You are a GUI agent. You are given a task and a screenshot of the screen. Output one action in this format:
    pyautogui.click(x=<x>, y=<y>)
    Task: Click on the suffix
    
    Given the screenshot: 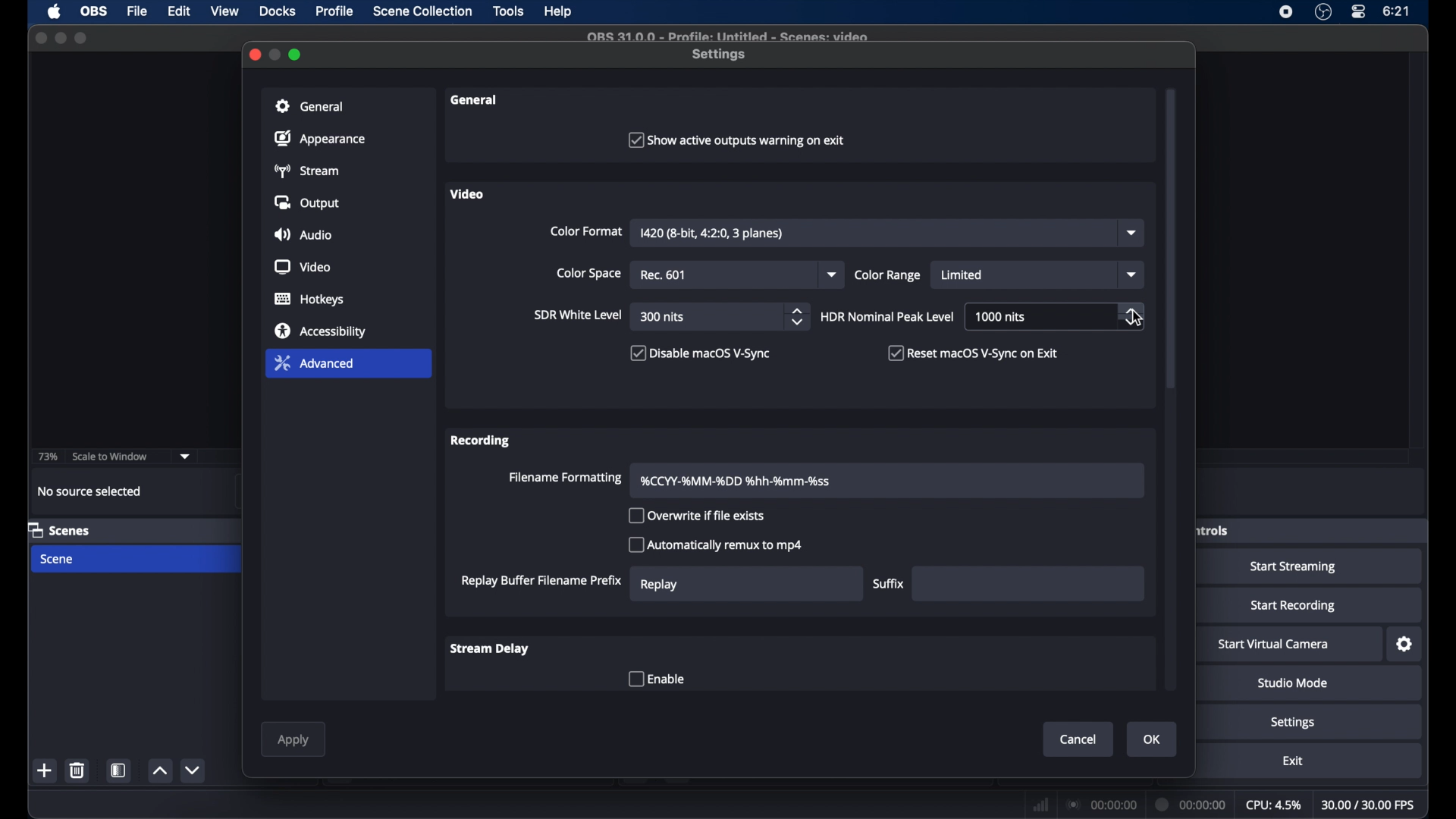 What is the action you would take?
    pyautogui.click(x=889, y=583)
    